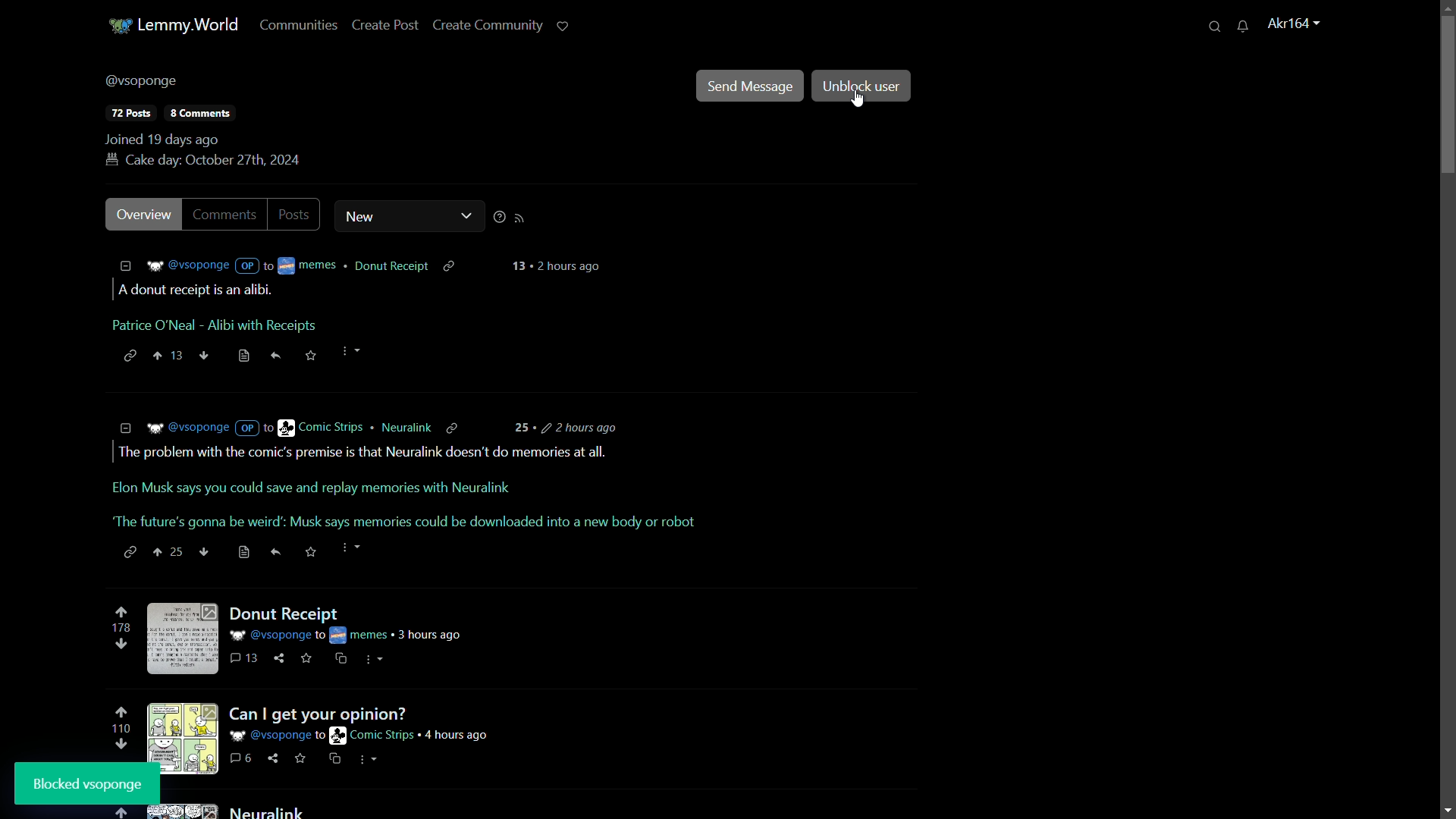 This screenshot has height=819, width=1456. I want to click on new, so click(388, 216).